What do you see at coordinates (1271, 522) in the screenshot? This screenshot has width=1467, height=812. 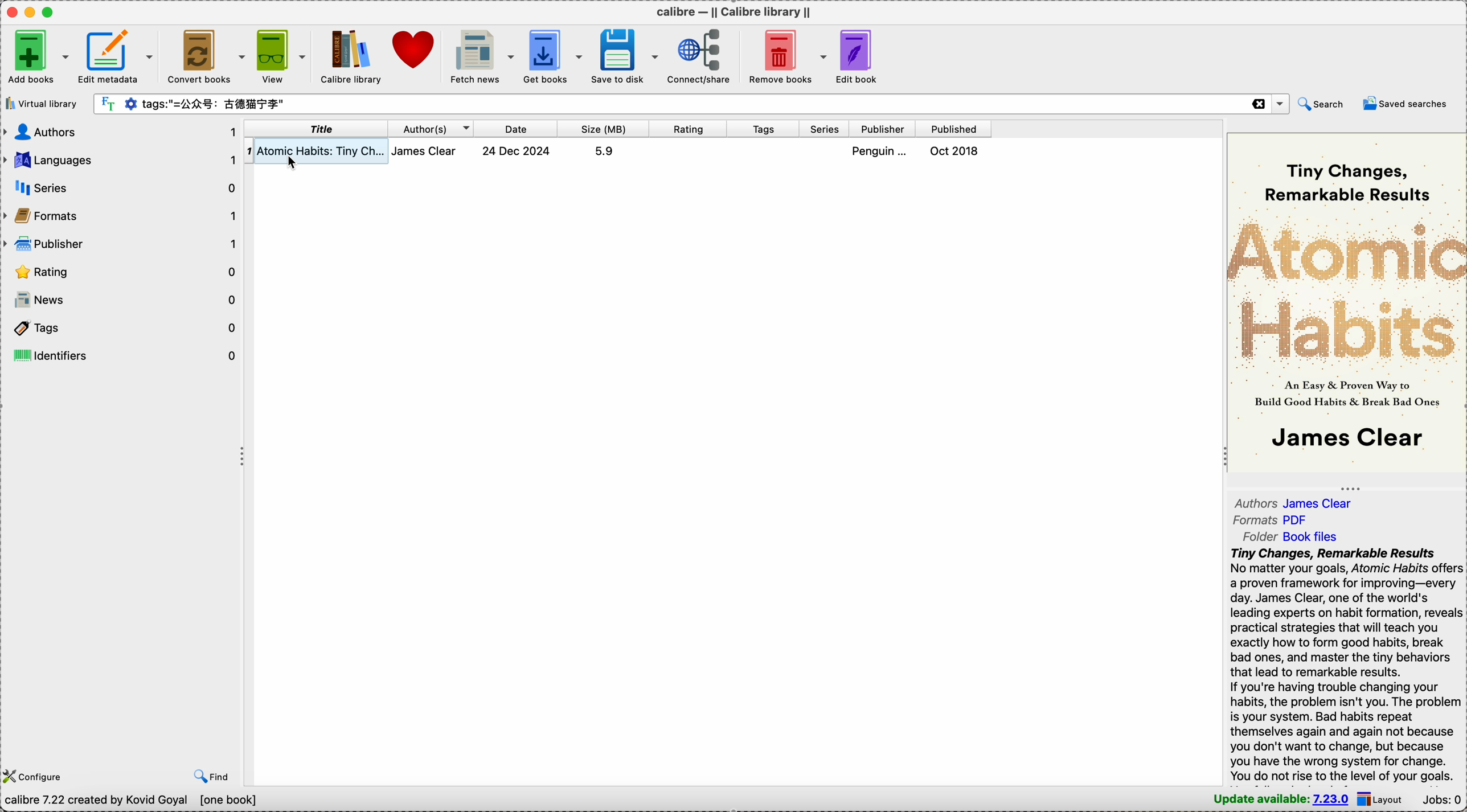 I see `formats` at bounding box center [1271, 522].